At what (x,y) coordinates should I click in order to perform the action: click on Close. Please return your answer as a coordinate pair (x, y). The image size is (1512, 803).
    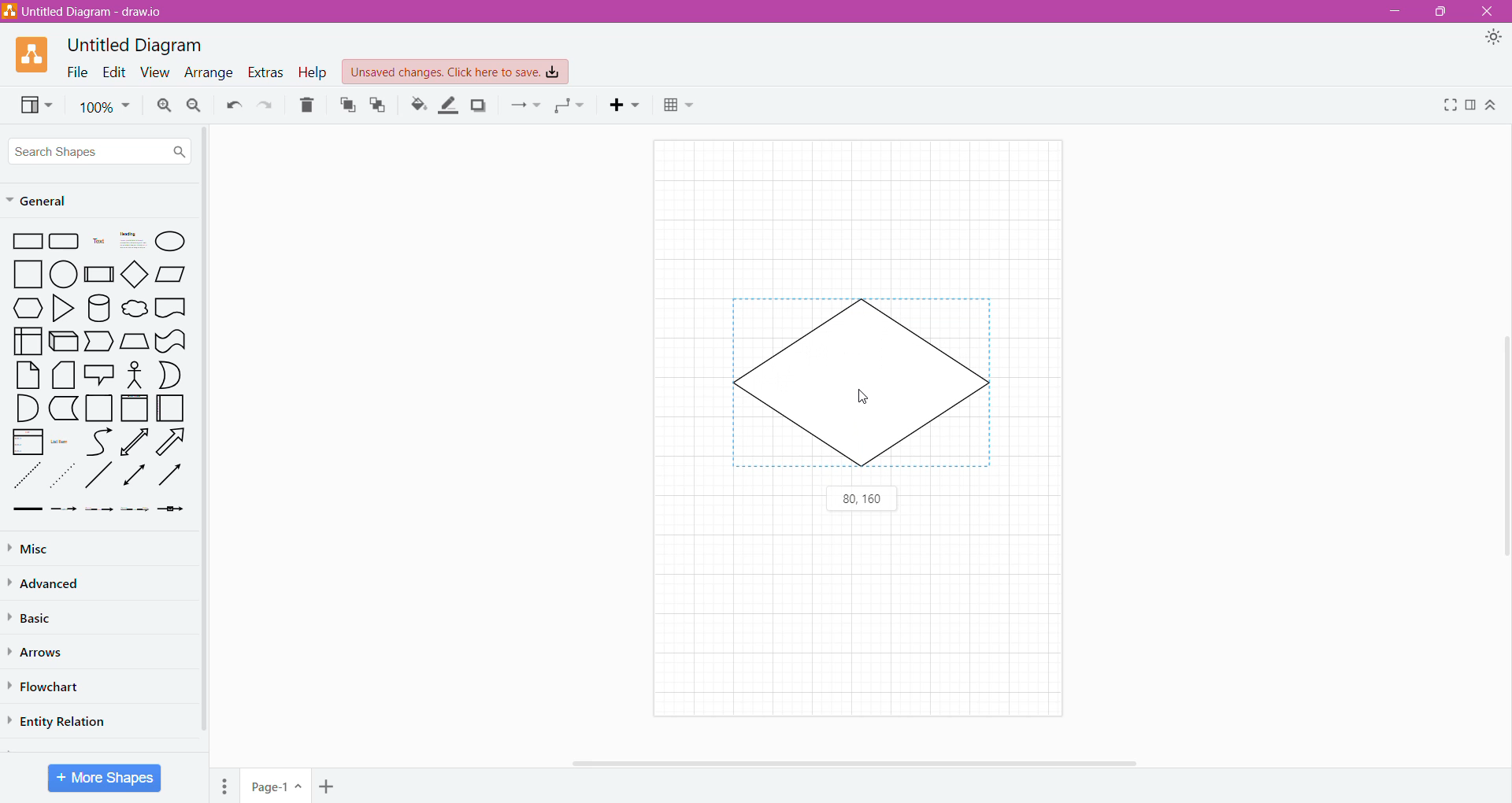
    Looking at the image, I should click on (1489, 12).